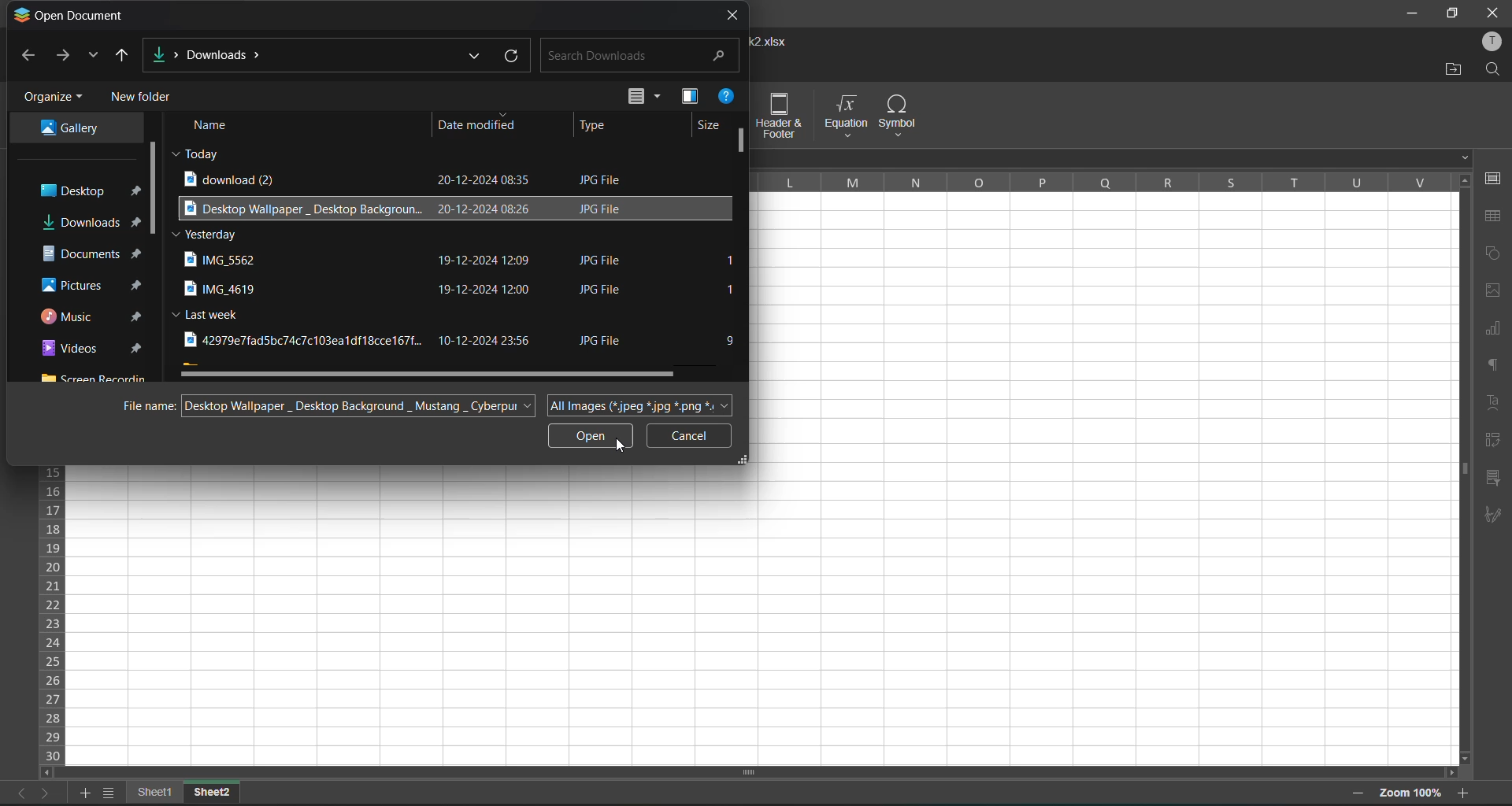 The width and height of the screenshot is (1512, 806). What do you see at coordinates (420, 261) in the screenshot?
I see `IMG_5562 19-12-2024 12:09 JPG File` at bounding box center [420, 261].